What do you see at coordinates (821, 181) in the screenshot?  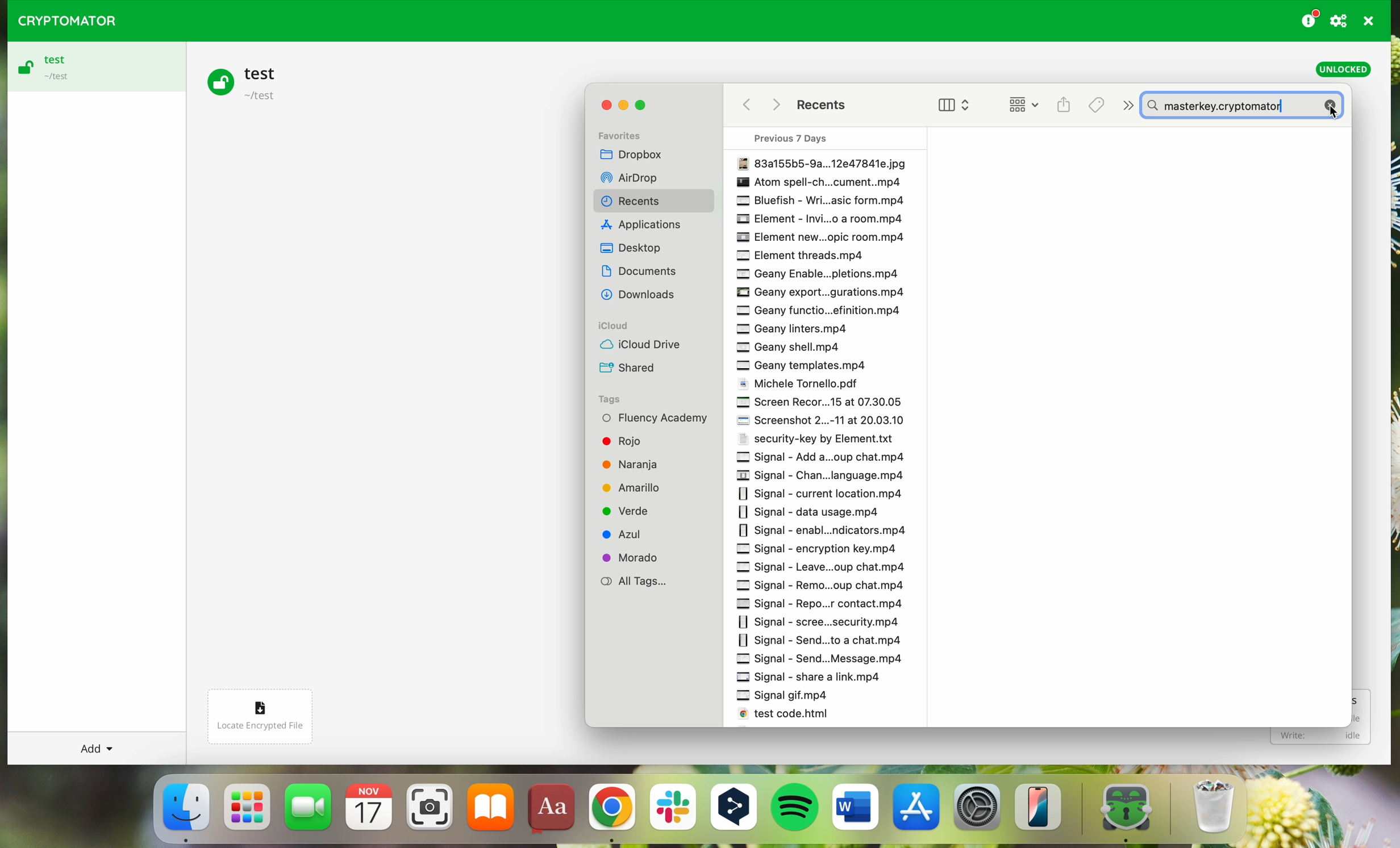 I see `` at bounding box center [821, 181].